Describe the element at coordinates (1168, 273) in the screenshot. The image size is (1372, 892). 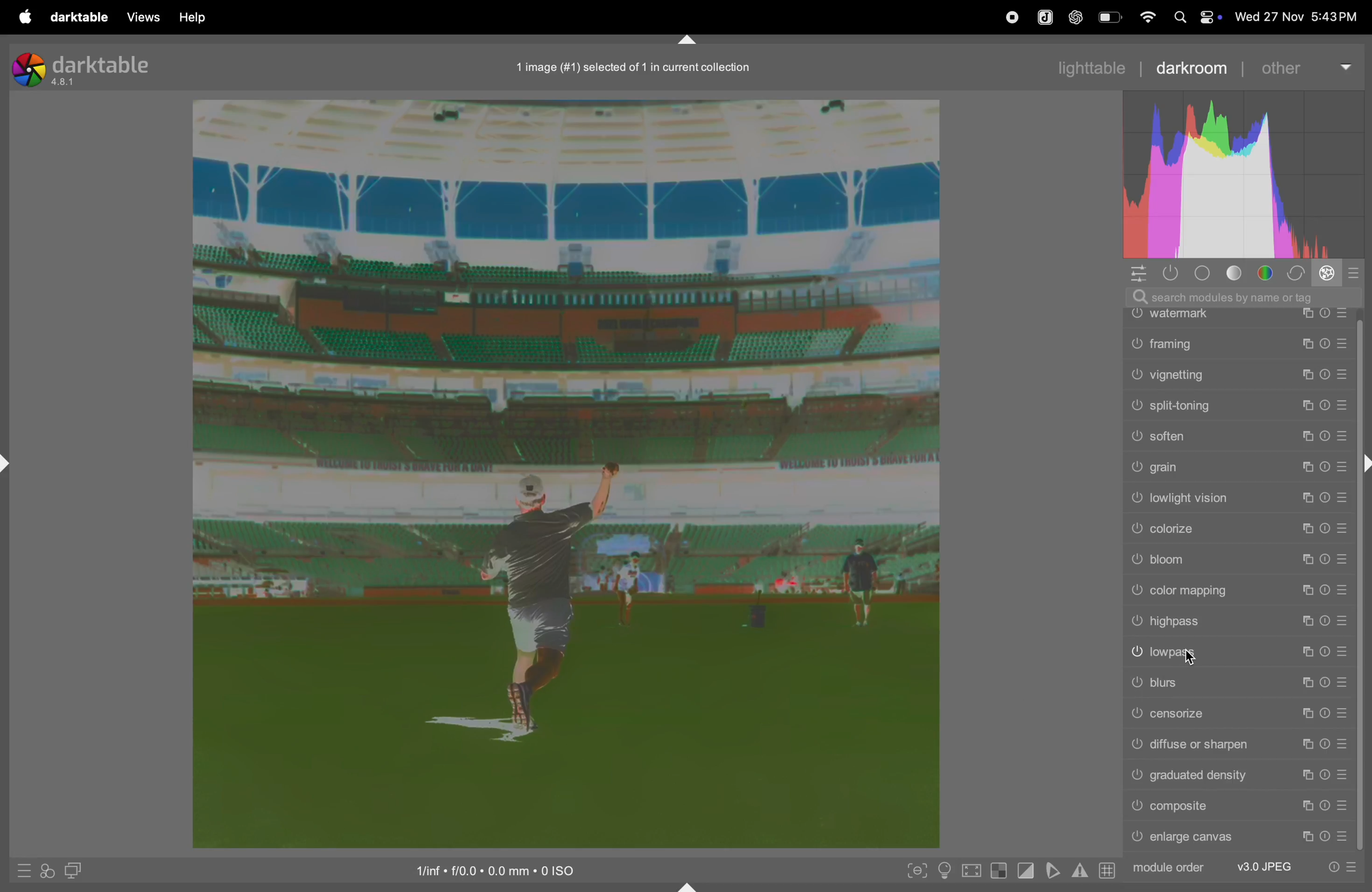
I see `show active modules` at that location.